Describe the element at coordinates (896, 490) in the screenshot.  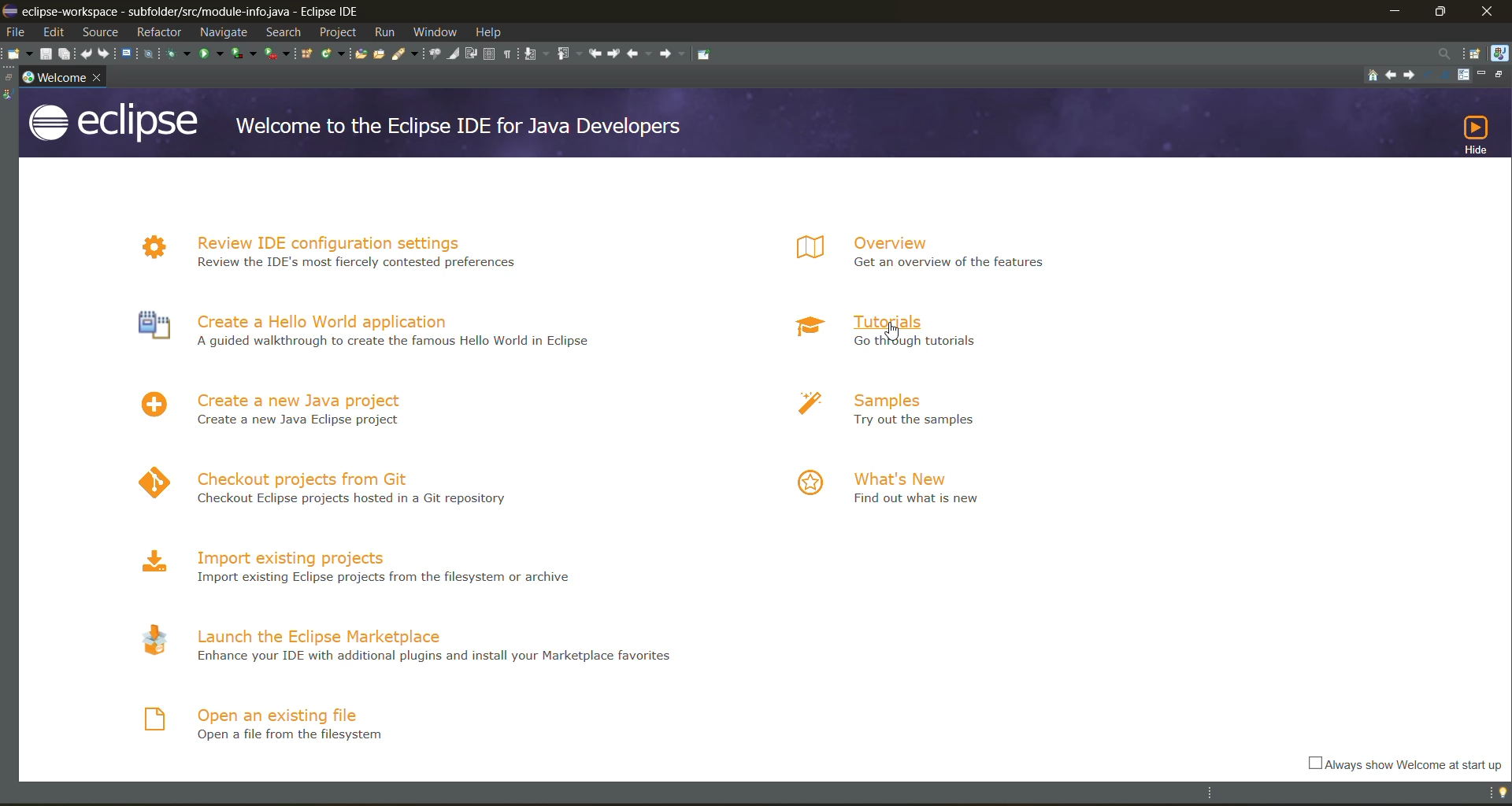
I see `what's  new` at that location.